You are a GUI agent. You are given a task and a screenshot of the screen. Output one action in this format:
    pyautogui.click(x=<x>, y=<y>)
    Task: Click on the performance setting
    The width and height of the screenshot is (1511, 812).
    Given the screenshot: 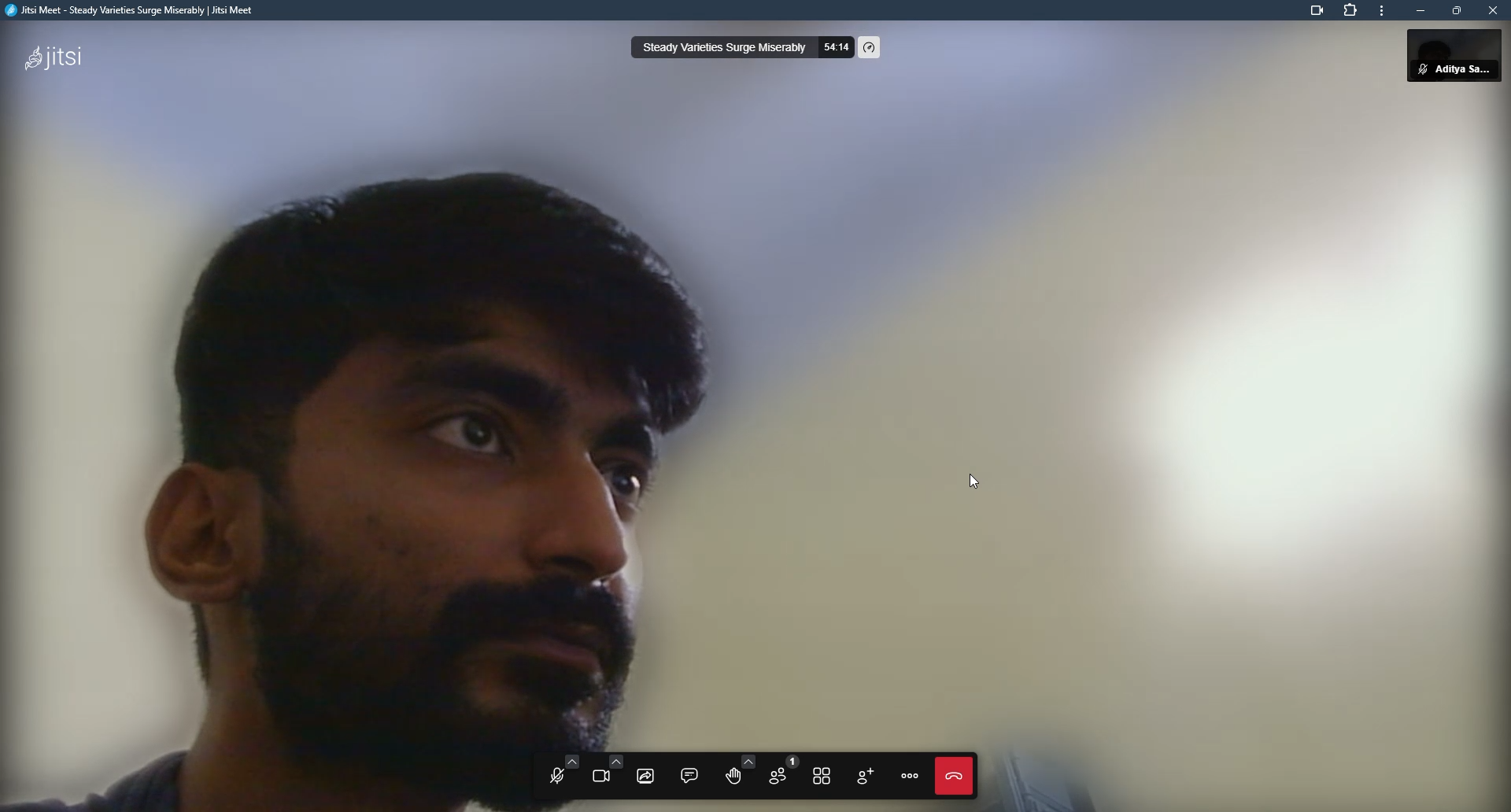 What is the action you would take?
    pyautogui.click(x=870, y=48)
    